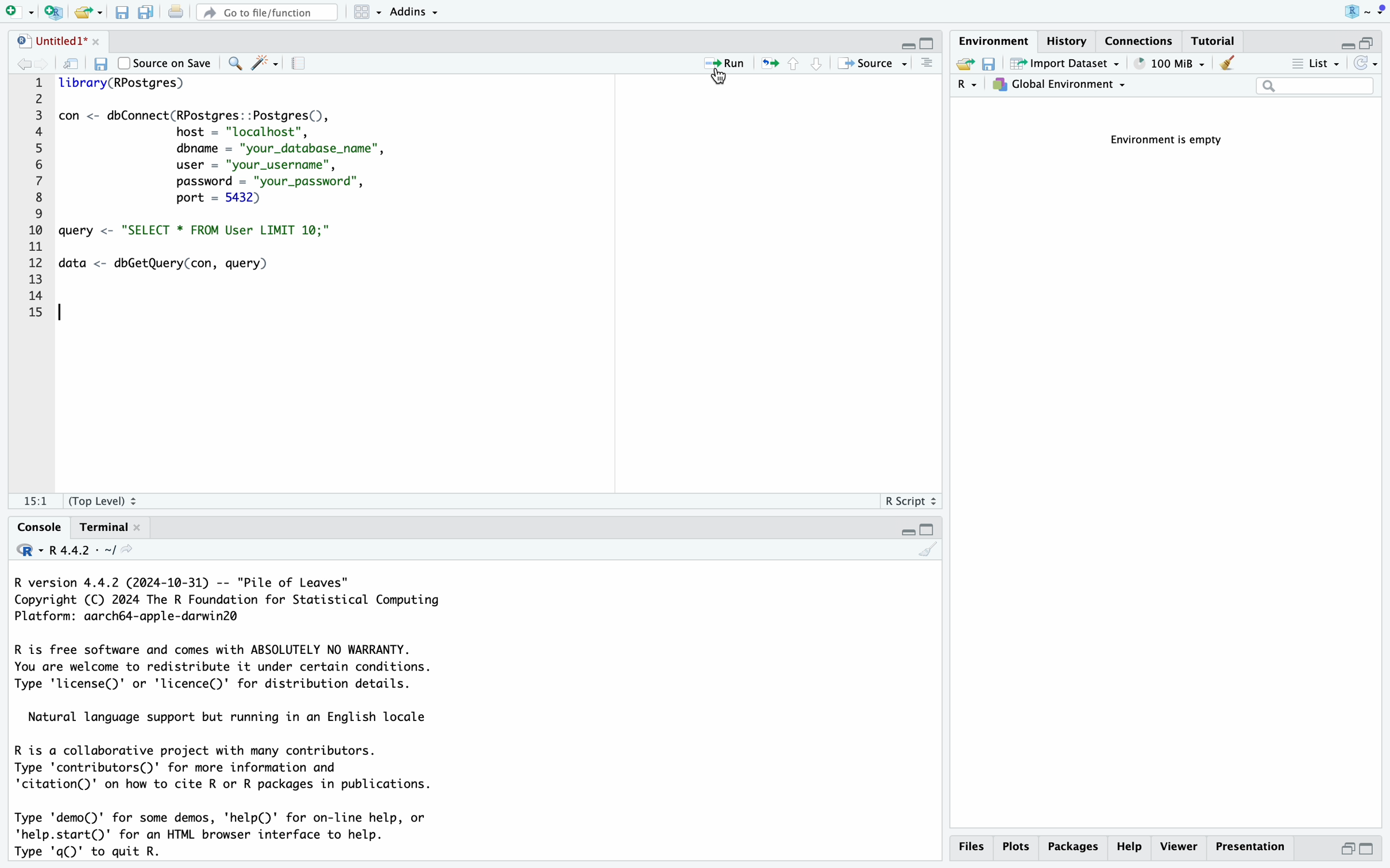 This screenshot has width=1390, height=868. Describe the element at coordinates (98, 65) in the screenshot. I see `save current document` at that location.